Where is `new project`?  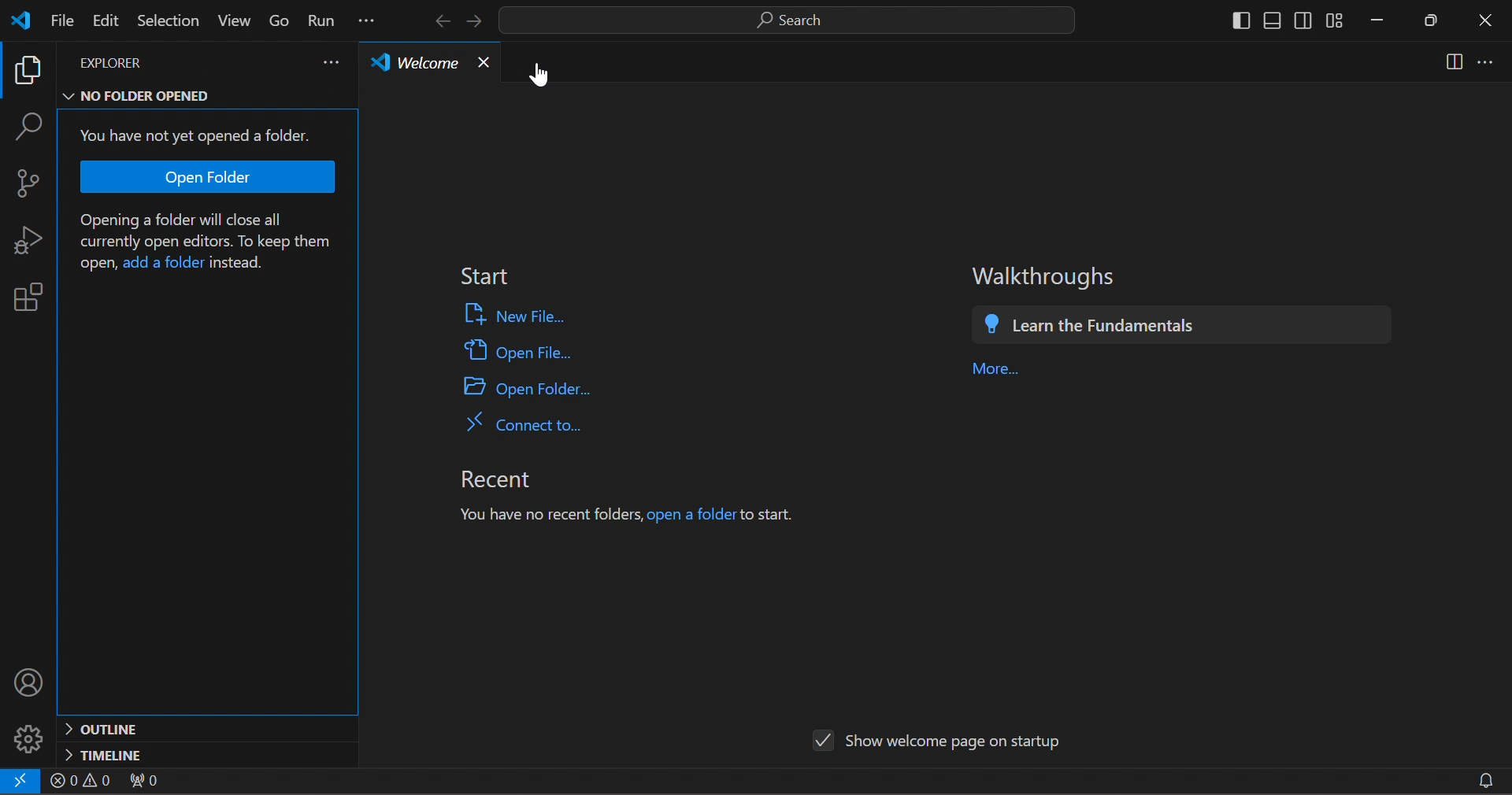
new project is located at coordinates (32, 183).